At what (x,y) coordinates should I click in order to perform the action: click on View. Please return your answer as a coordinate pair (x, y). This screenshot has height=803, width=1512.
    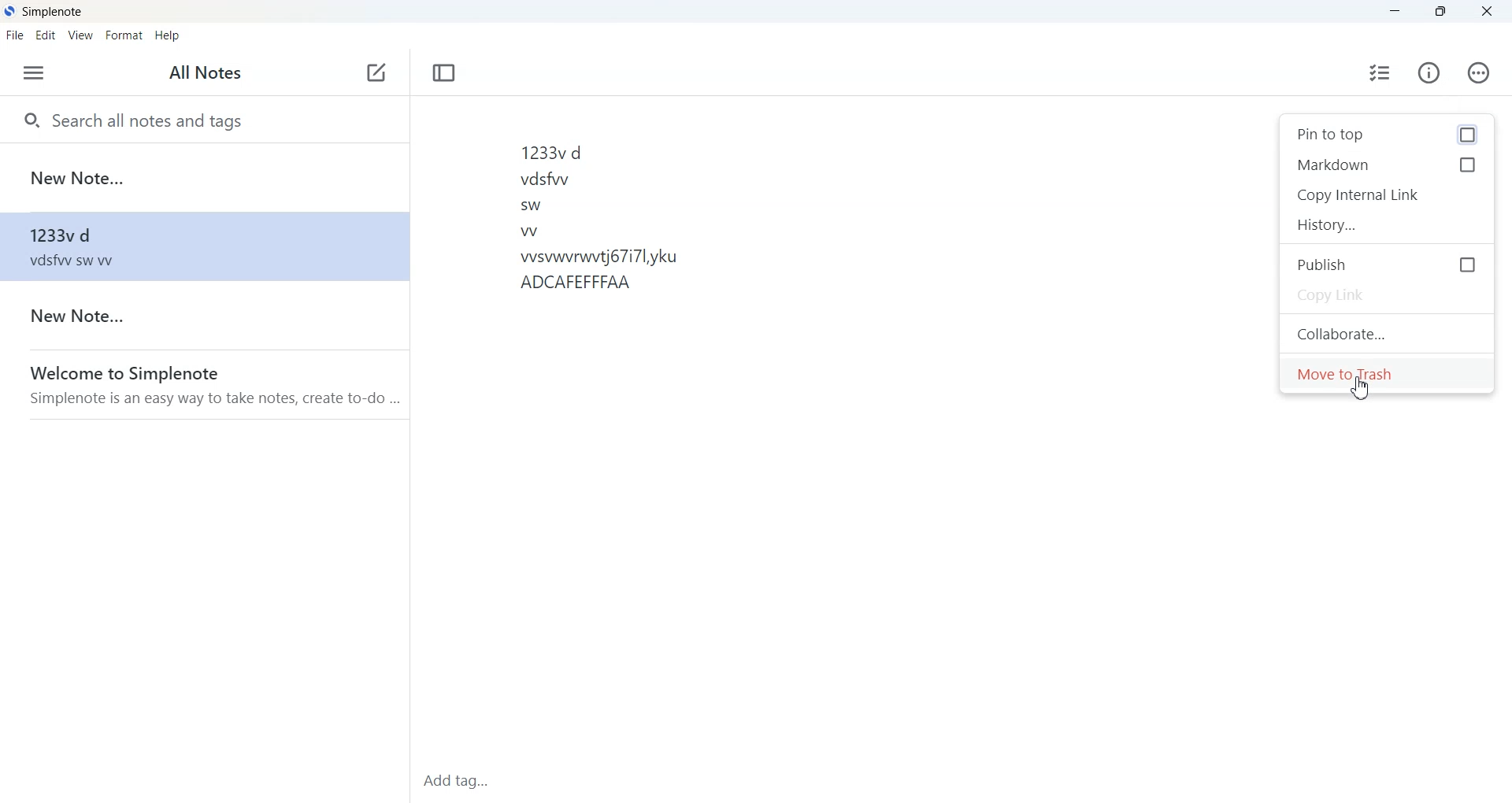
    Looking at the image, I should click on (82, 35).